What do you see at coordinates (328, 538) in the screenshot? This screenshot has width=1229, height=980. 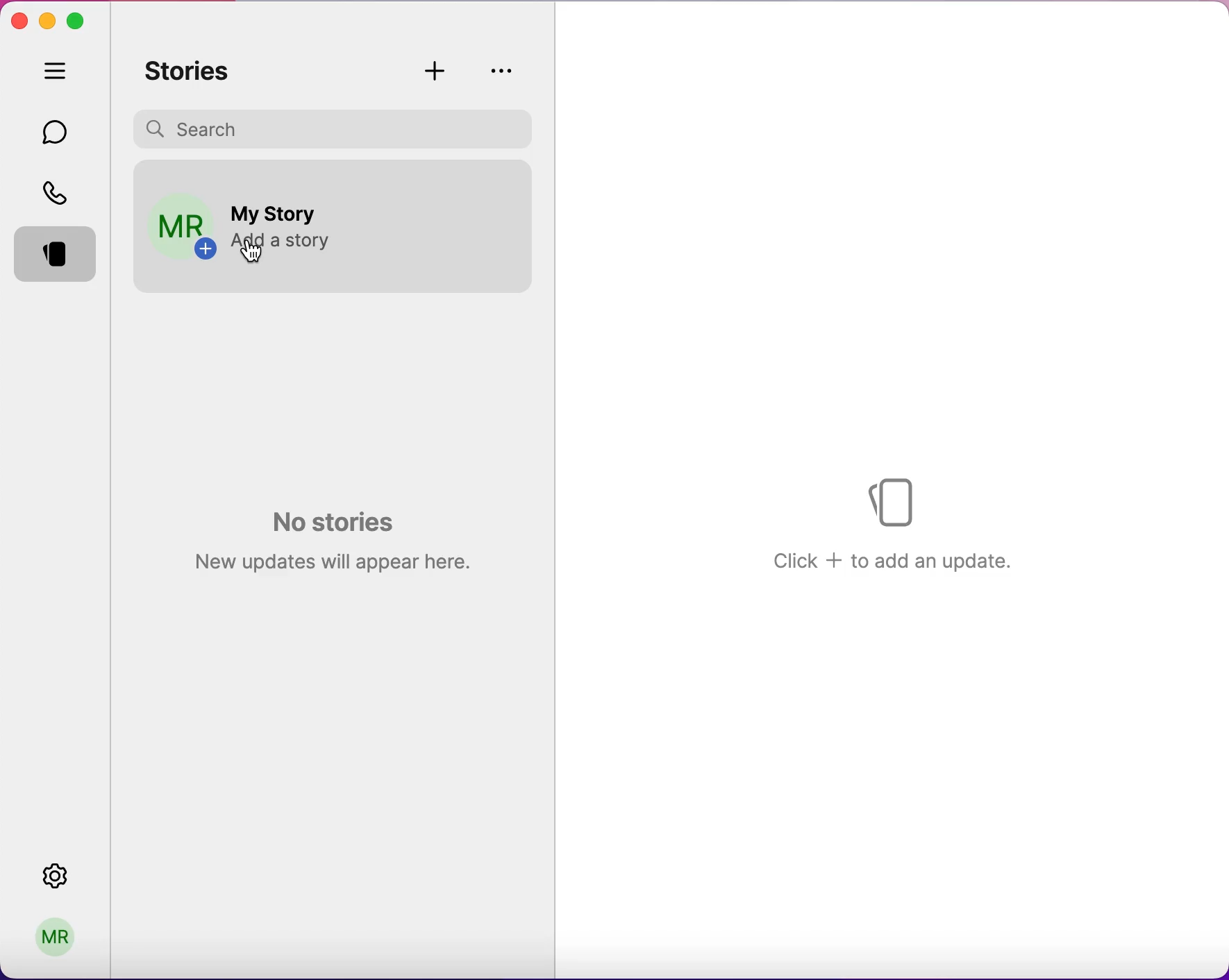 I see `no stories` at bounding box center [328, 538].